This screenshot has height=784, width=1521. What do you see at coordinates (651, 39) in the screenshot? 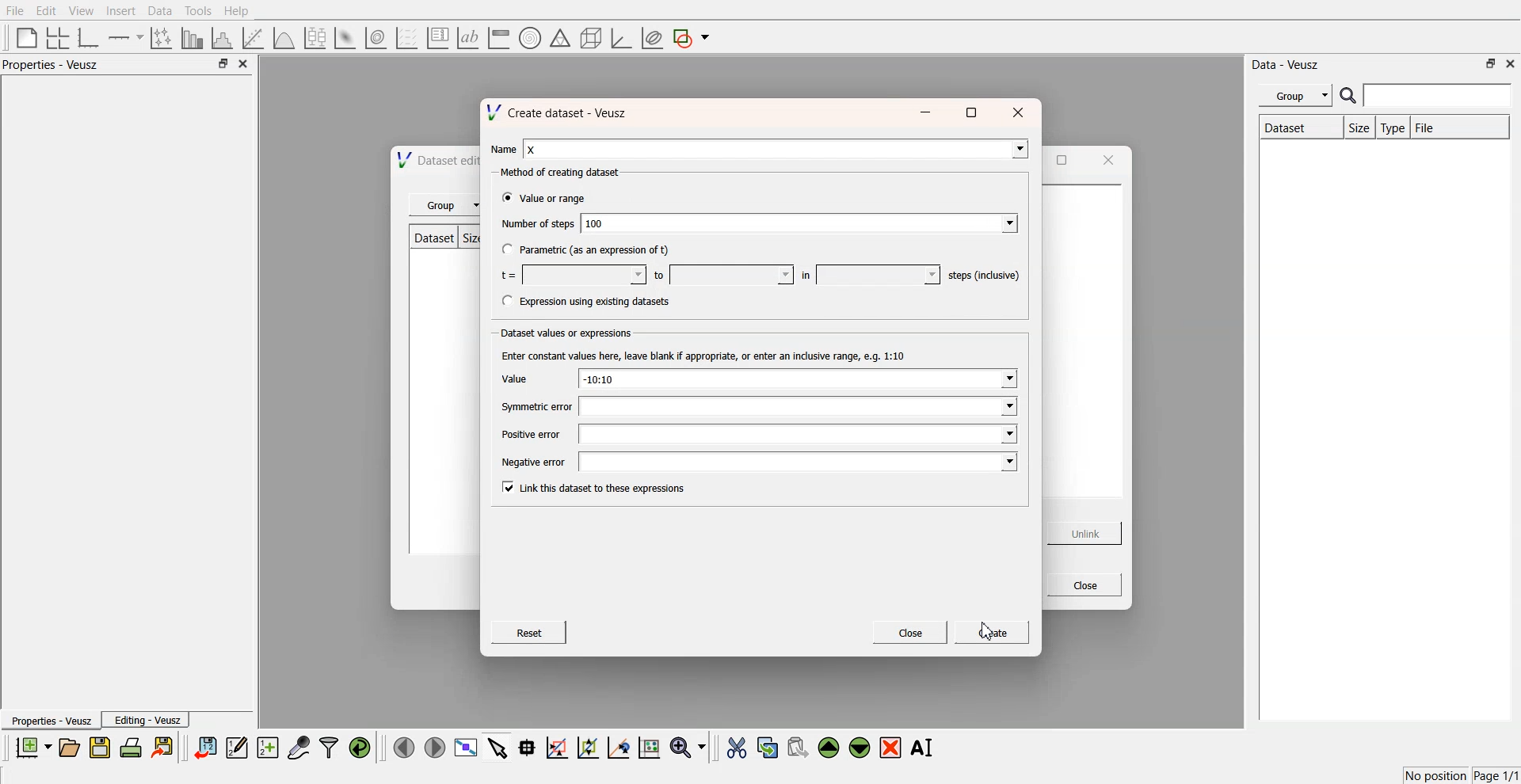
I see `plot covariance ellipses` at bounding box center [651, 39].